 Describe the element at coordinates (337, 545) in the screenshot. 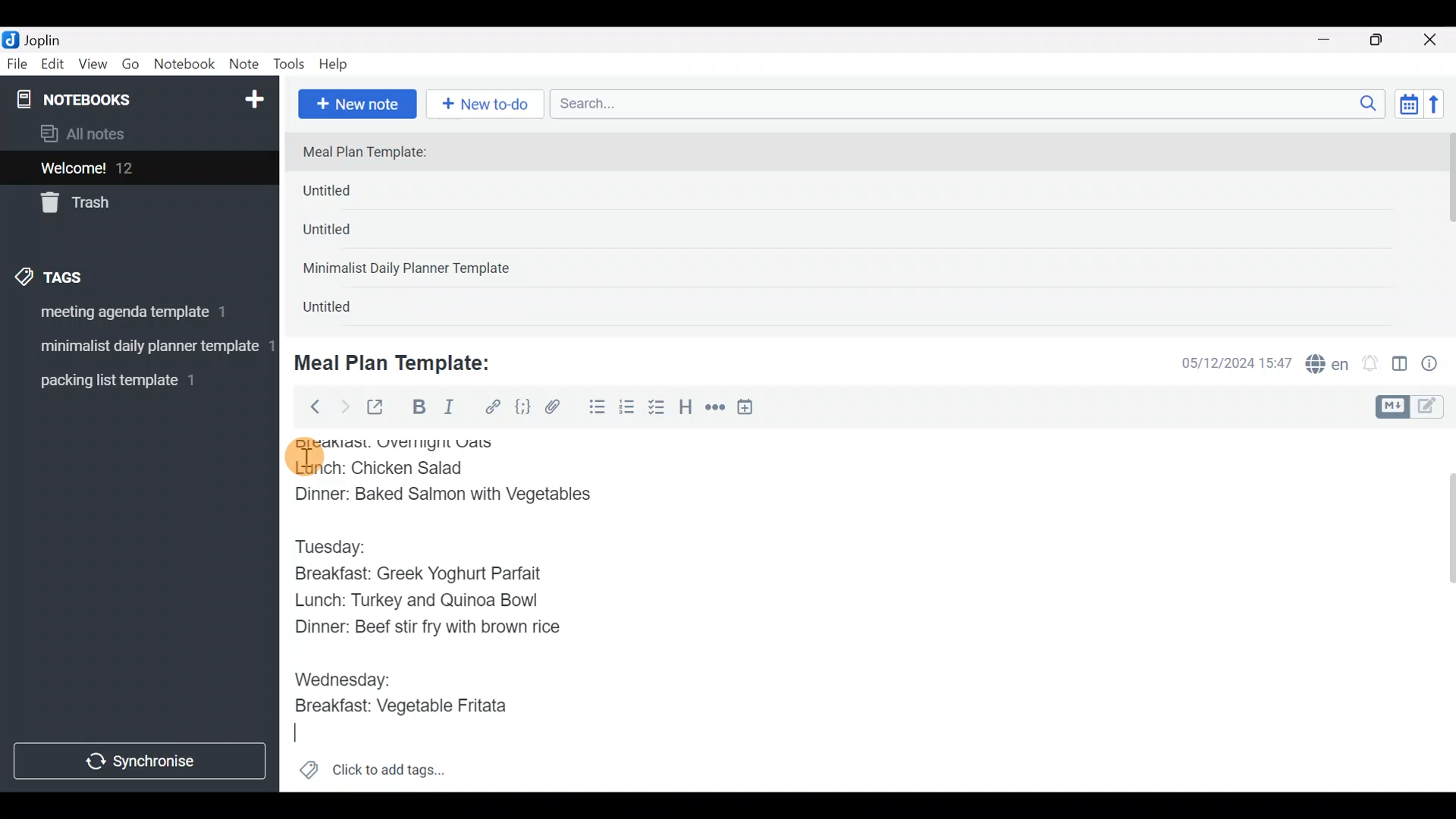

I see `Tuesday:` at that location.